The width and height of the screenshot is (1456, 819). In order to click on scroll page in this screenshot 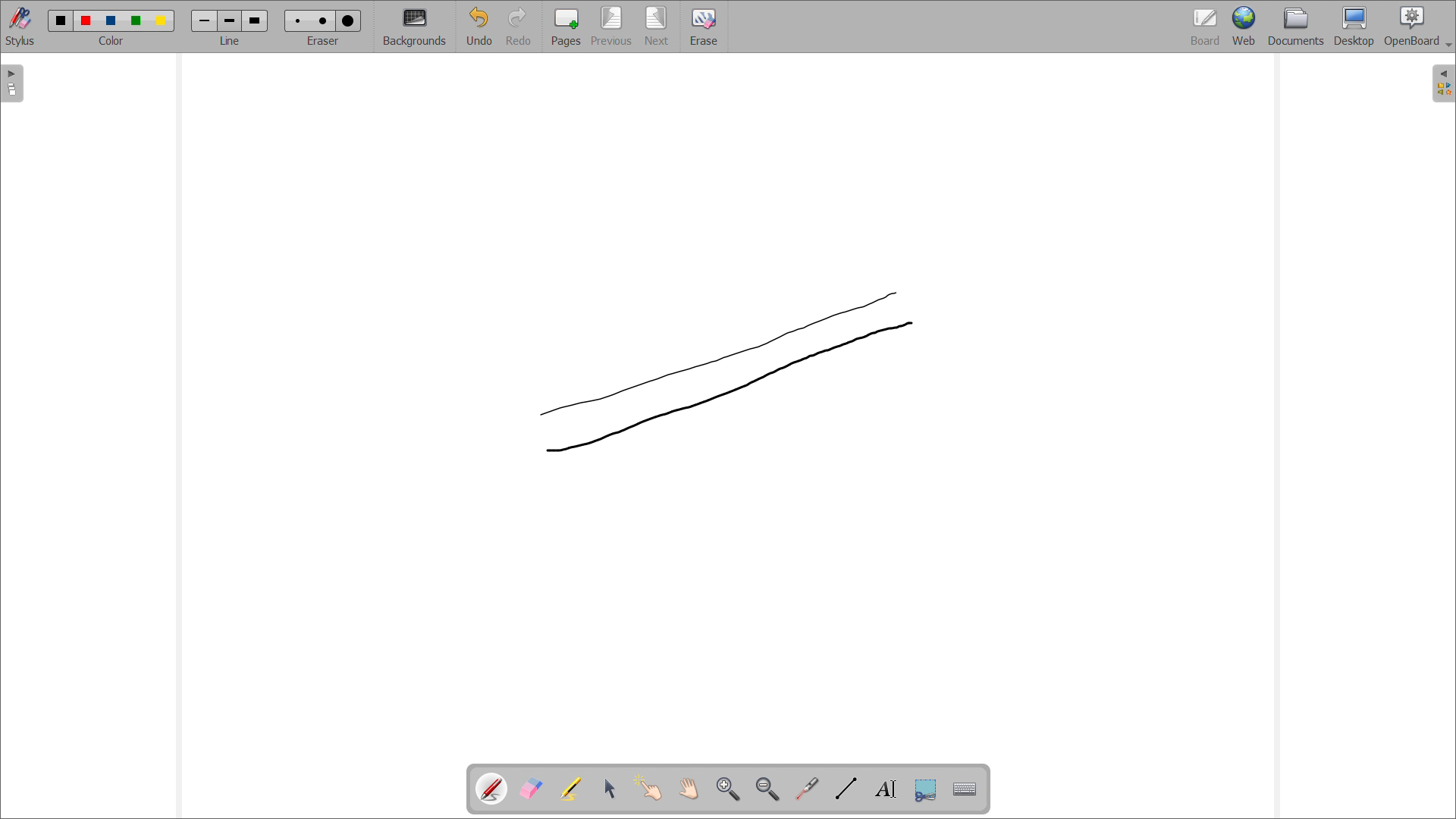, I will do `click(689, 788)`.